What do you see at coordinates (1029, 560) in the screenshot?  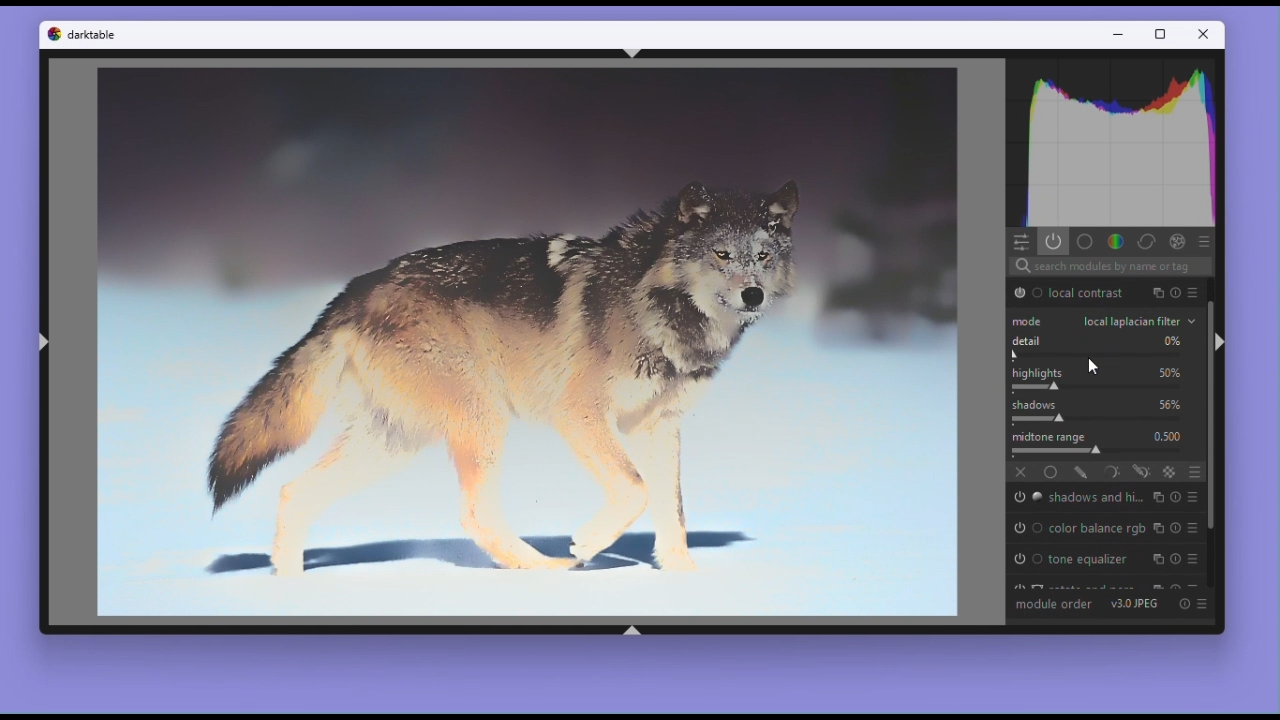 I see `'tone equalizer' is switched on` at bounding box center [1029, 560].